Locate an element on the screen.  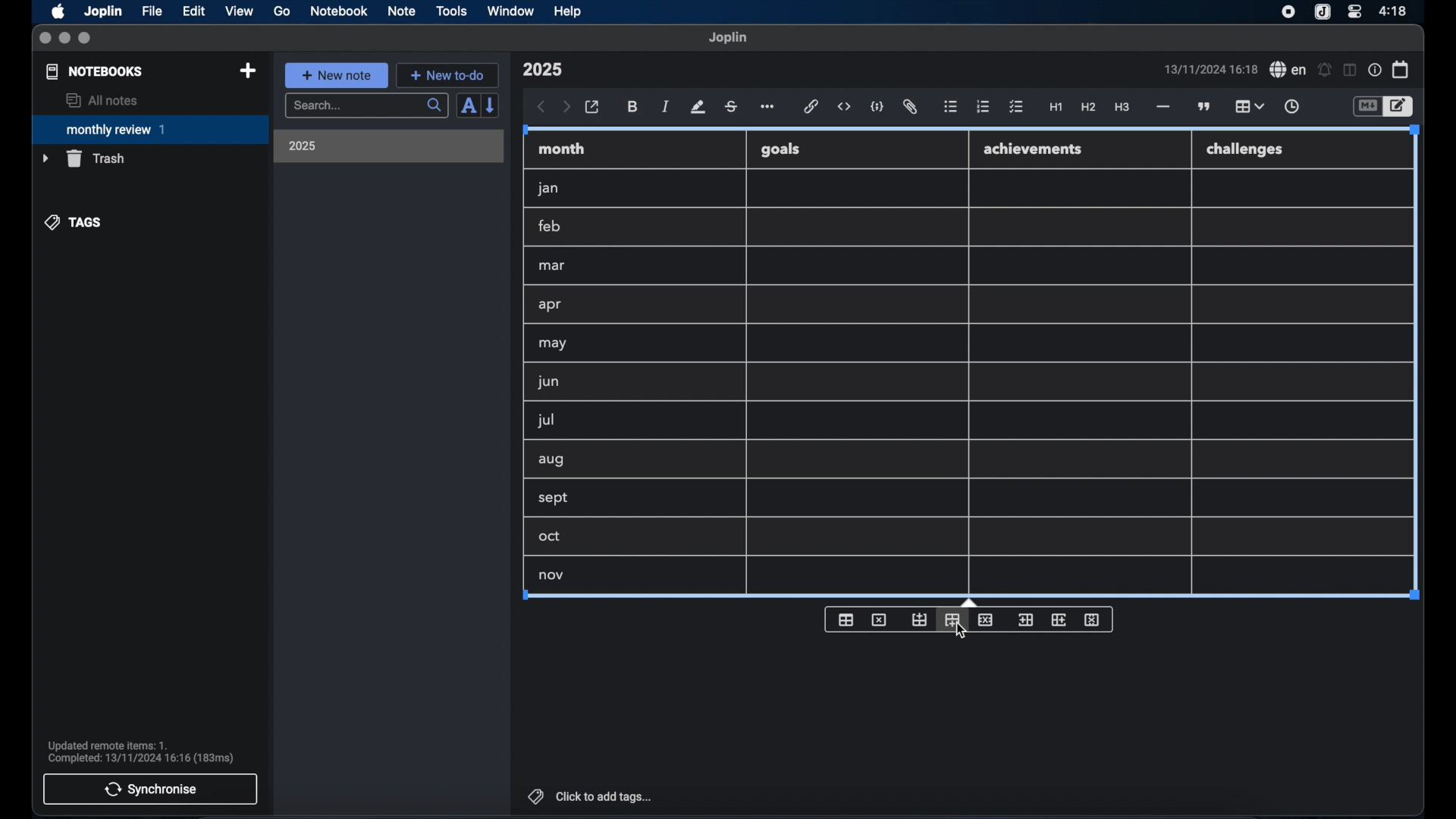
highlight is located at coordinates (698, 107).